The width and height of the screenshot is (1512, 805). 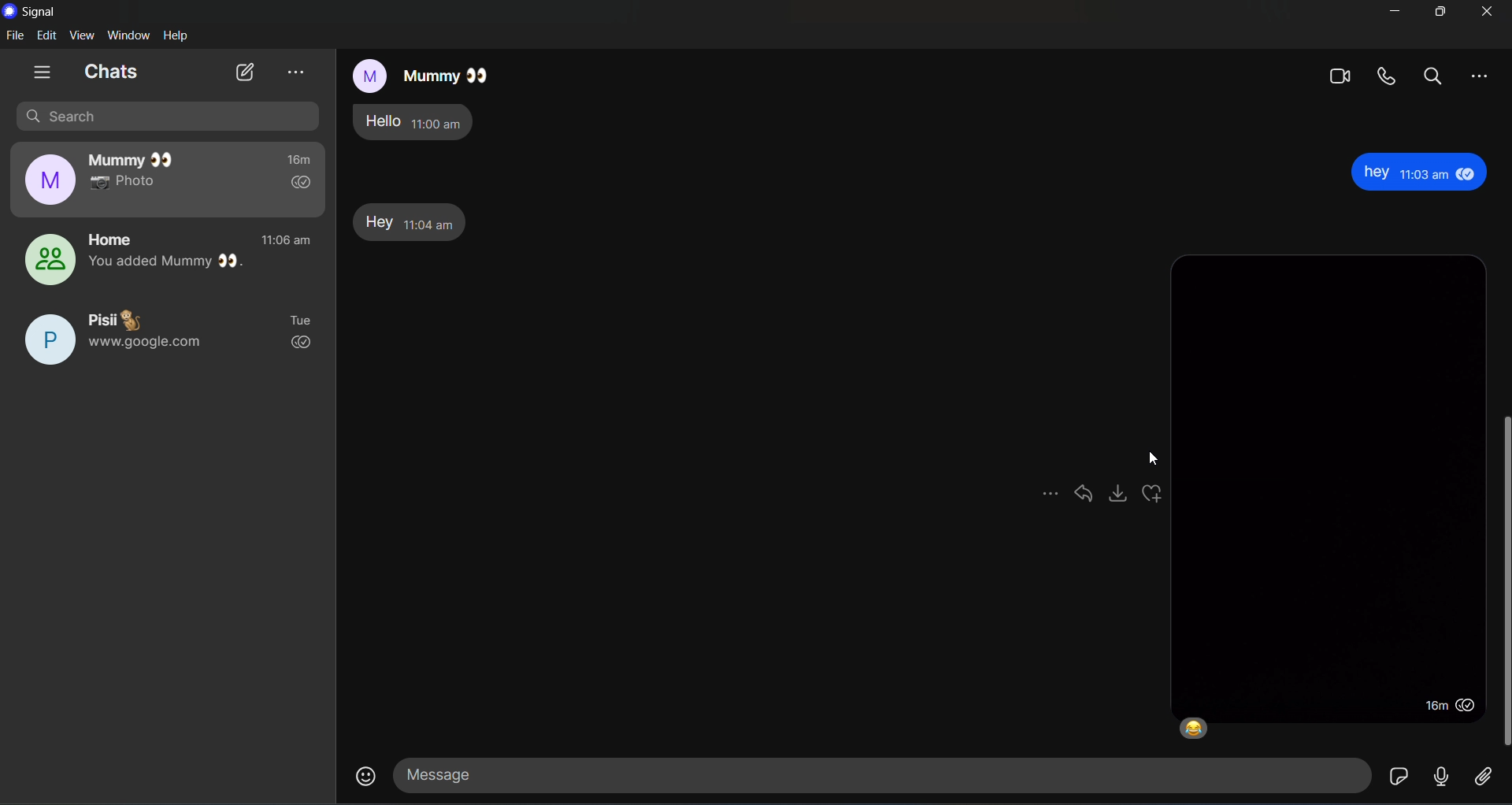 I want to click on message, so click(x=876, y=773).